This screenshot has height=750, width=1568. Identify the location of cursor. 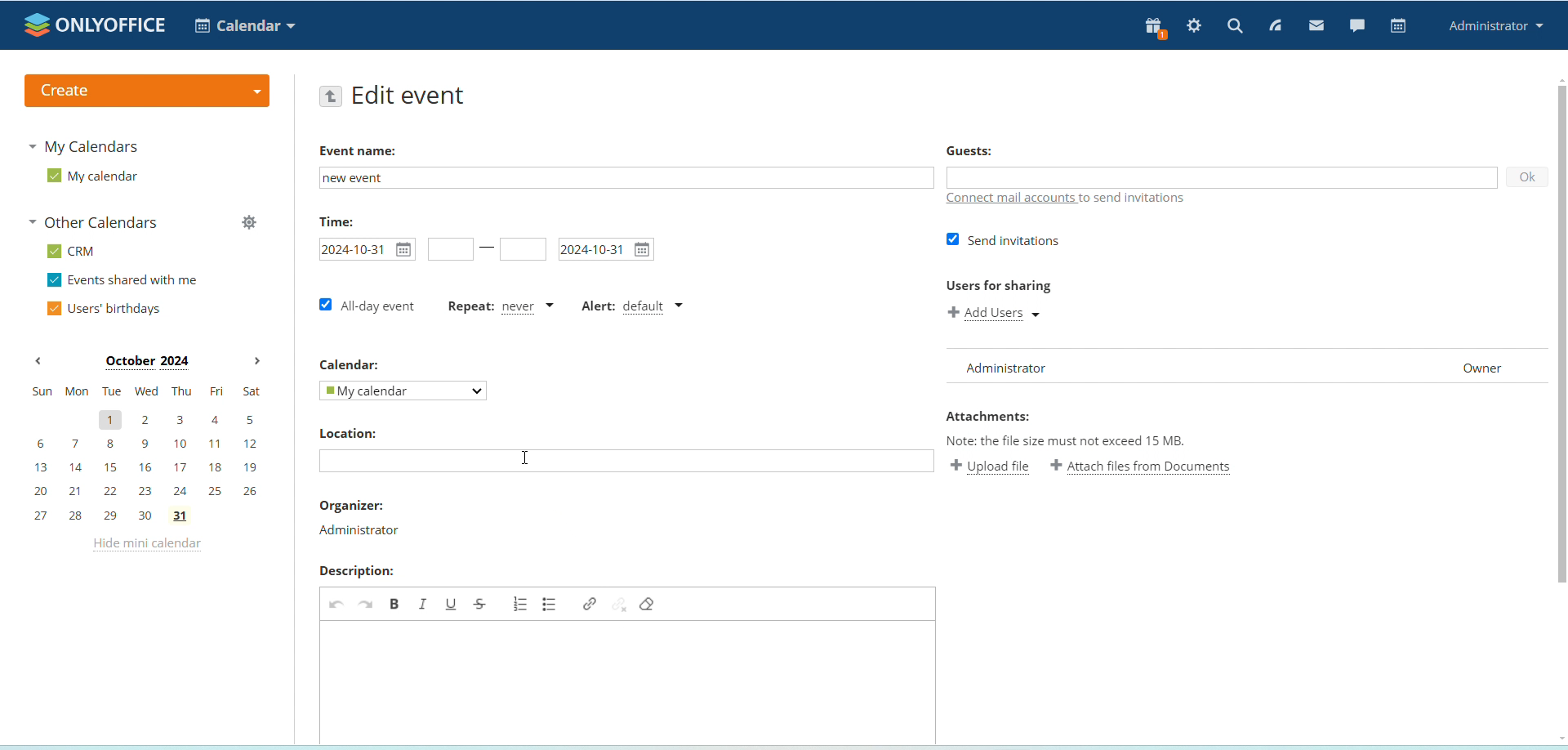
(524, 457).